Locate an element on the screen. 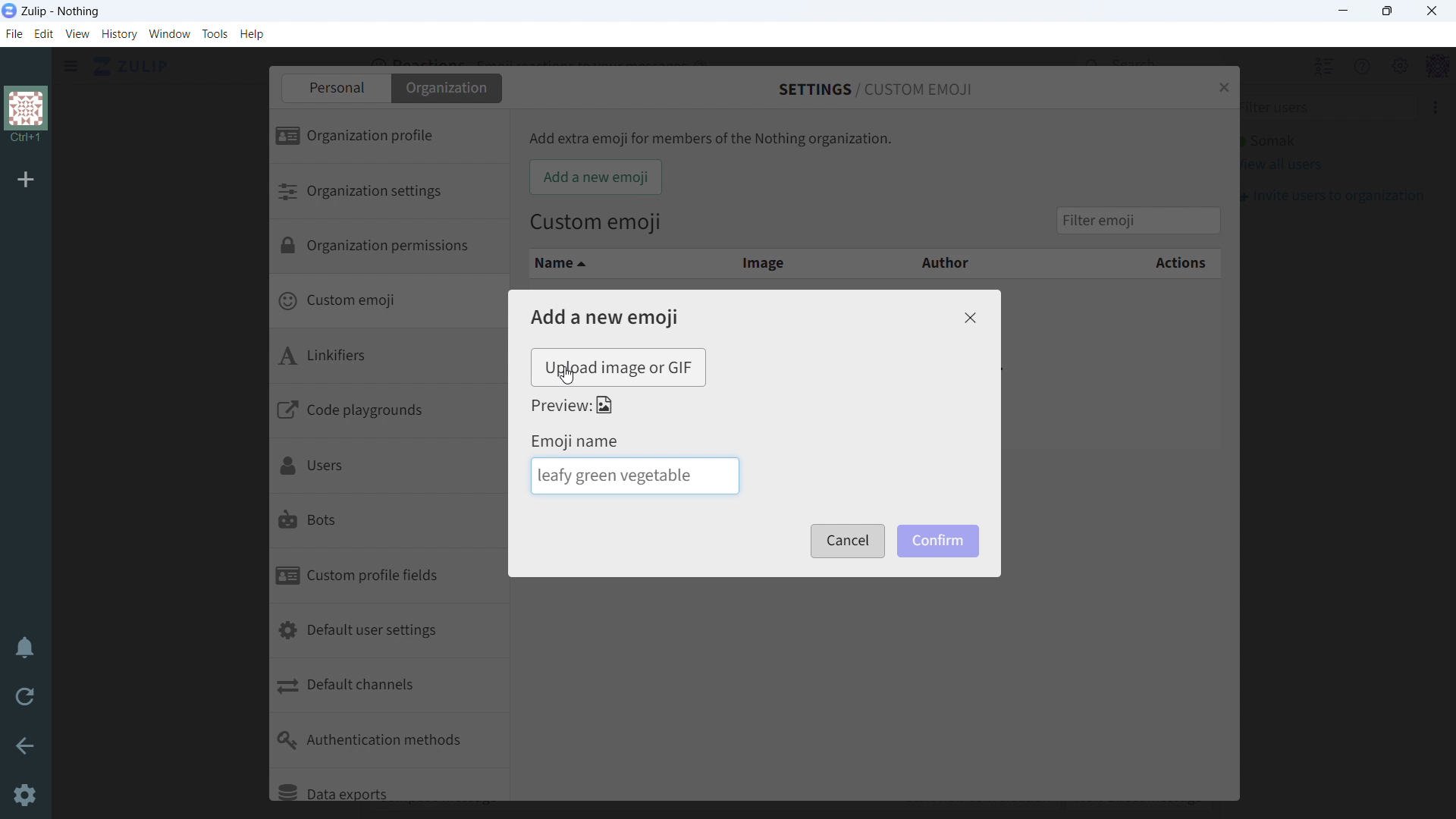  maximize is located at coordinates (1388, 11).